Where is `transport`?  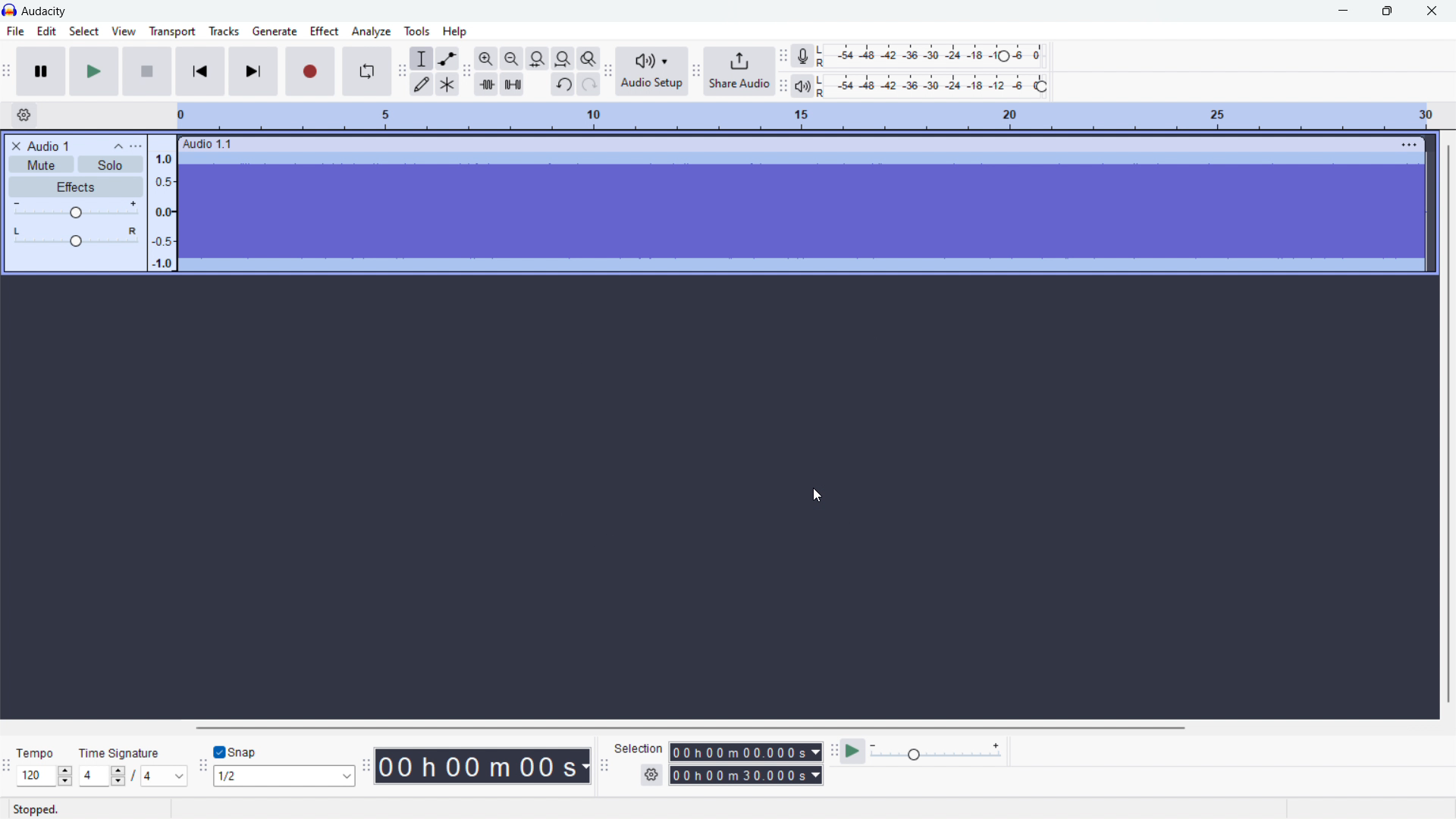 transport is located at coordinates (173, 32).